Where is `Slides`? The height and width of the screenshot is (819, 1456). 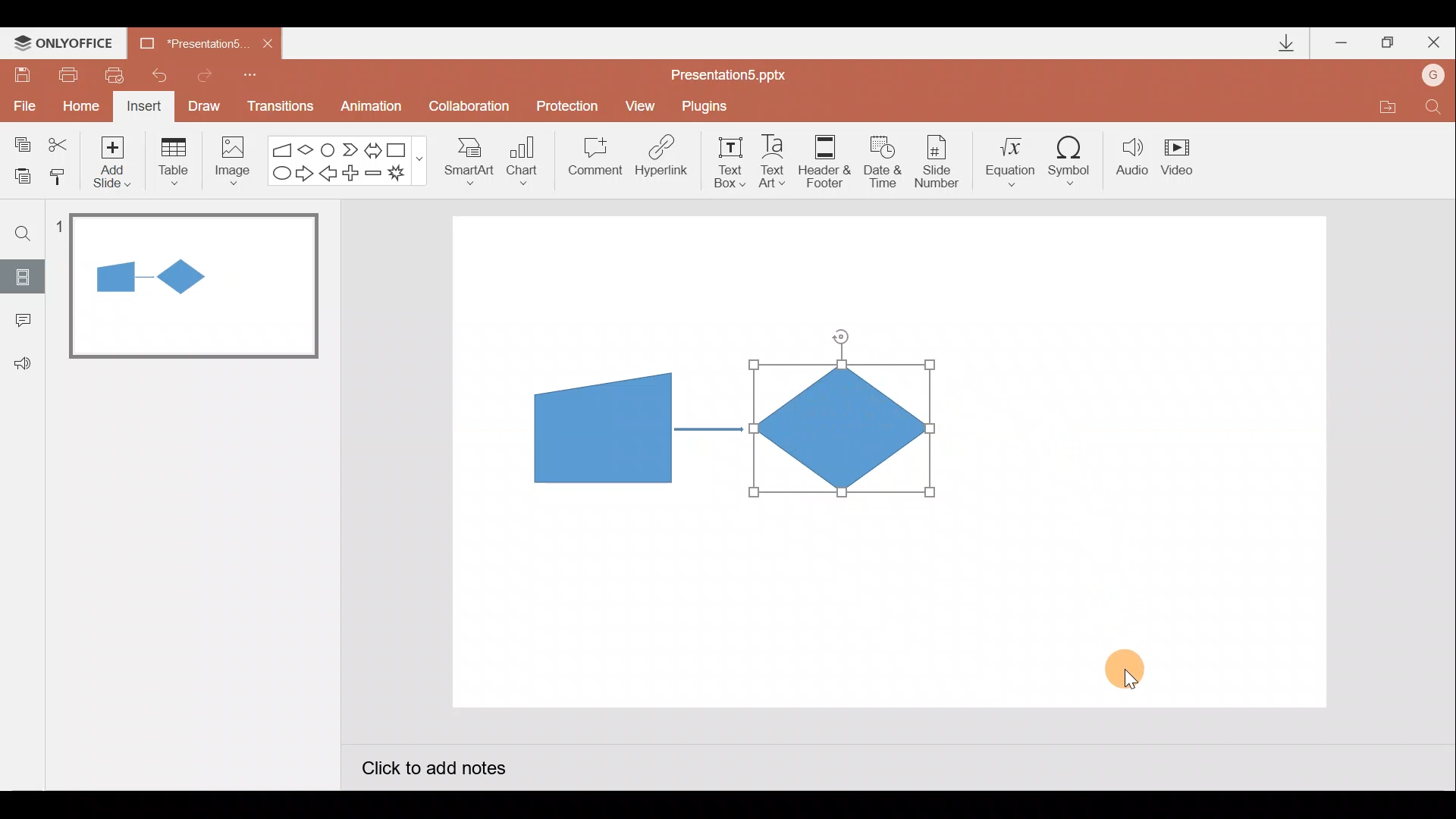 Slides is located at coordinates (22, 276).